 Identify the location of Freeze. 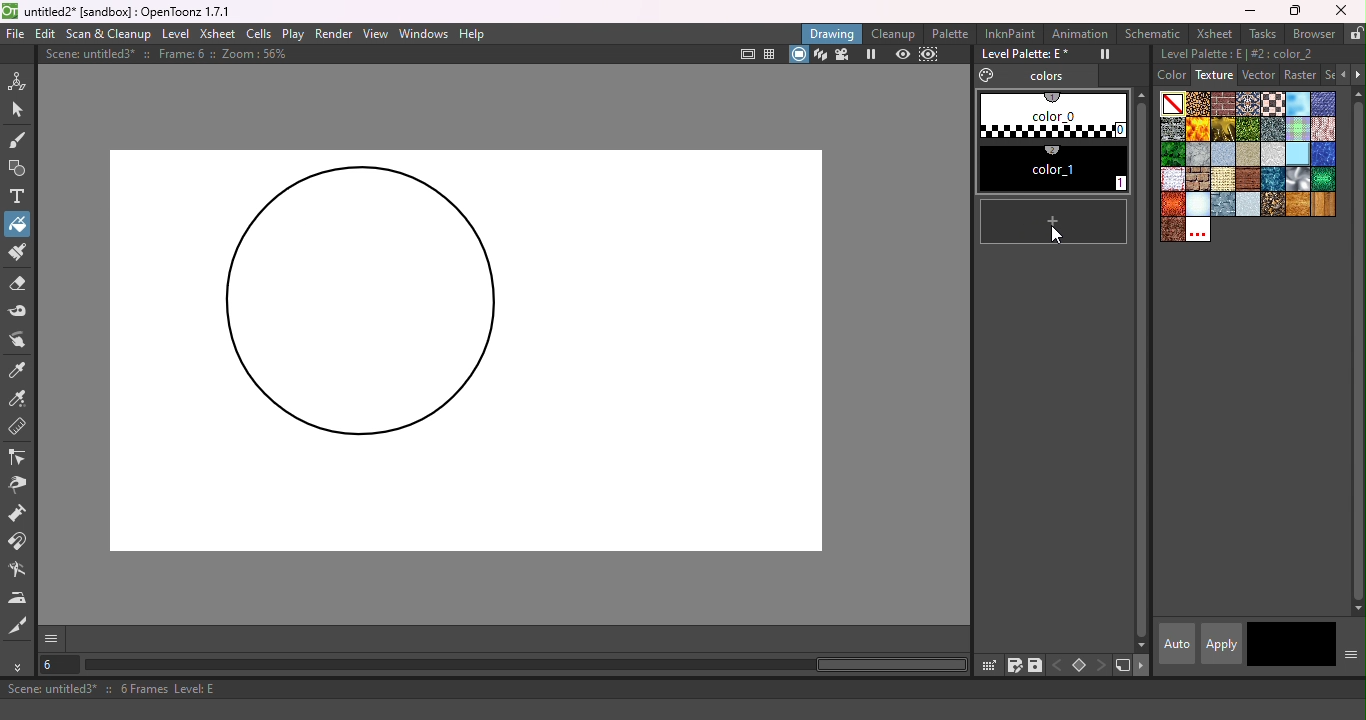
(872, 54).